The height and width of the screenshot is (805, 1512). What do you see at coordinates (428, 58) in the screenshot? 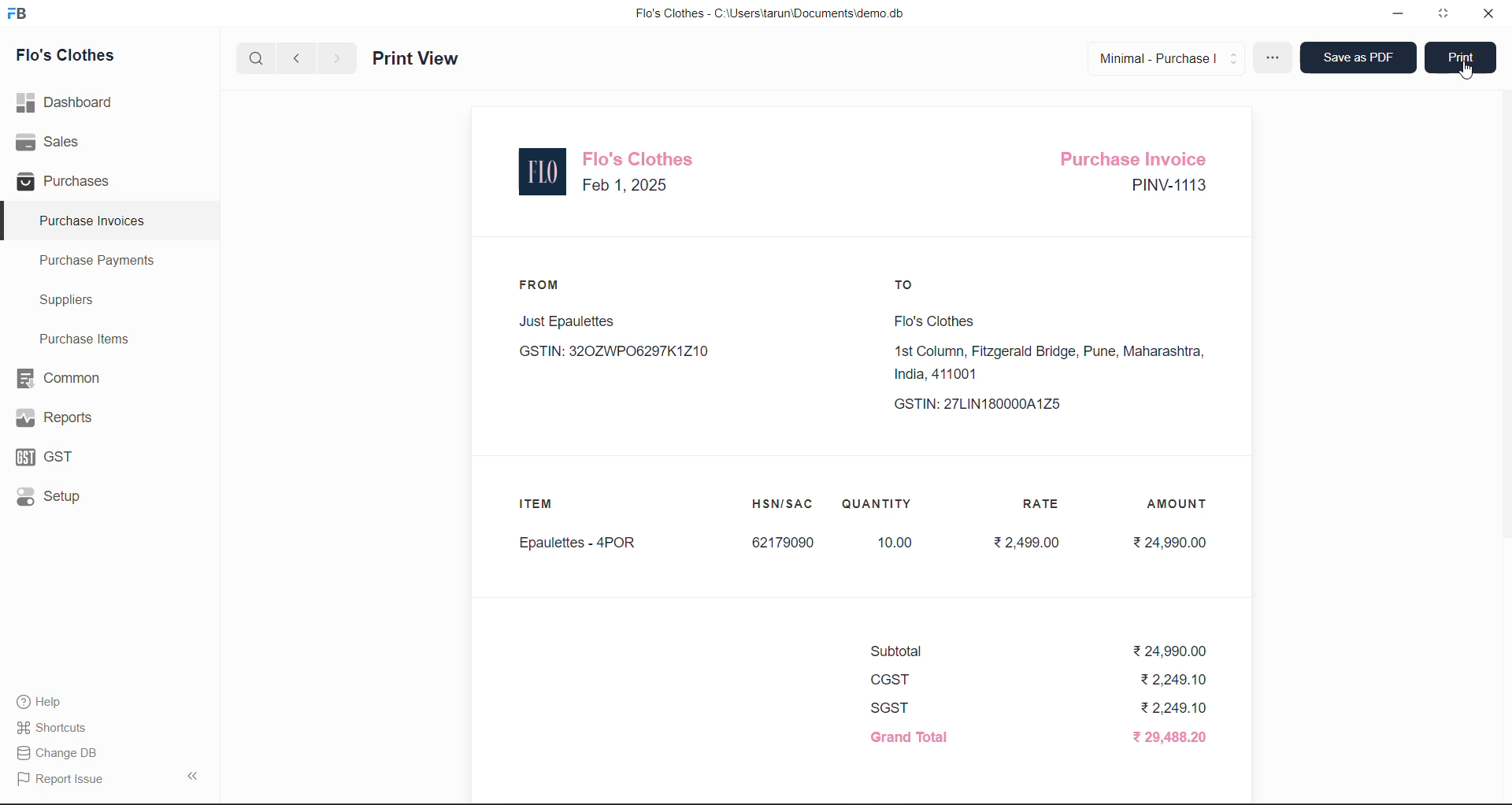
I see ` Print View` at bounding box center [428, 58].